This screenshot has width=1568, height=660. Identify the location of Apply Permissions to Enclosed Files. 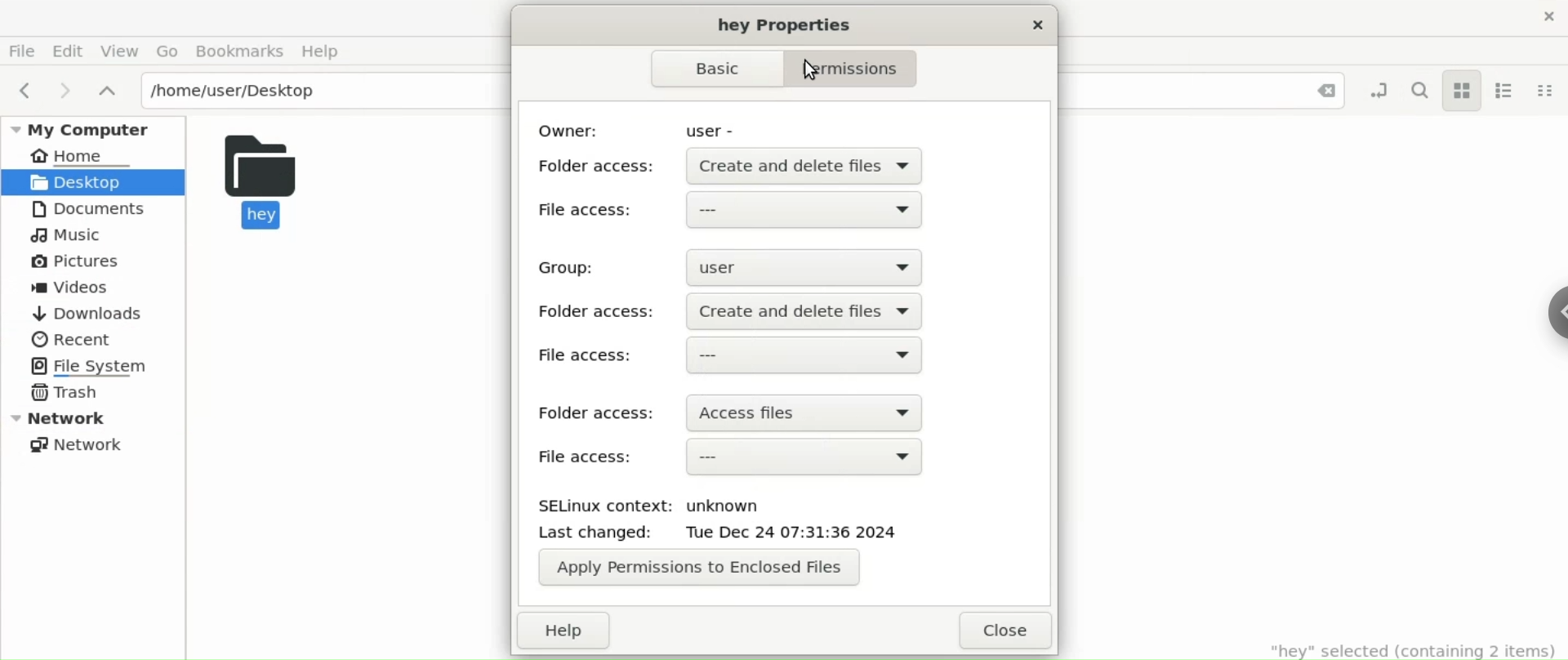
(698, 566).